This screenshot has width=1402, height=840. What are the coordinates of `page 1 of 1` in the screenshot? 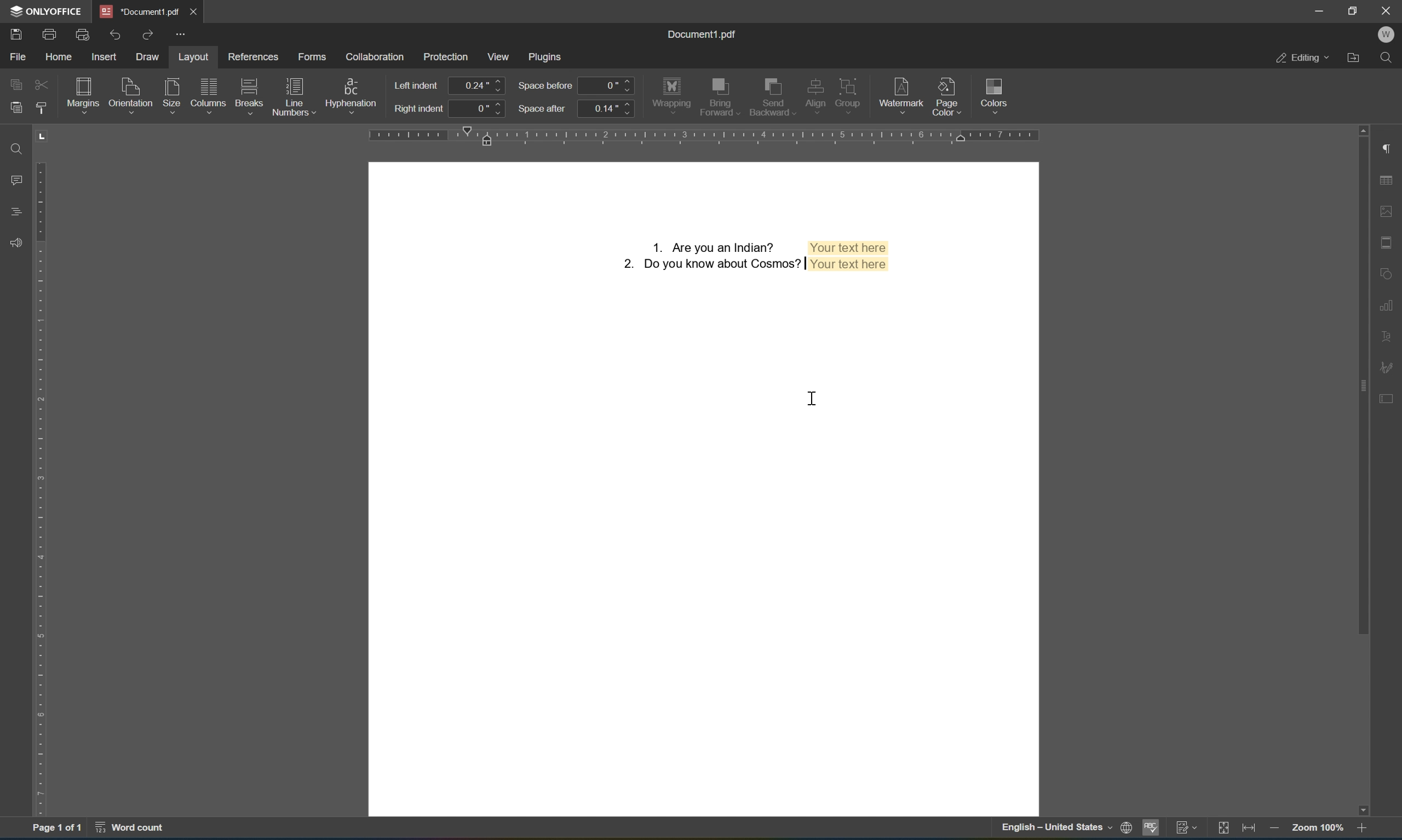 It's located at (57, 829).